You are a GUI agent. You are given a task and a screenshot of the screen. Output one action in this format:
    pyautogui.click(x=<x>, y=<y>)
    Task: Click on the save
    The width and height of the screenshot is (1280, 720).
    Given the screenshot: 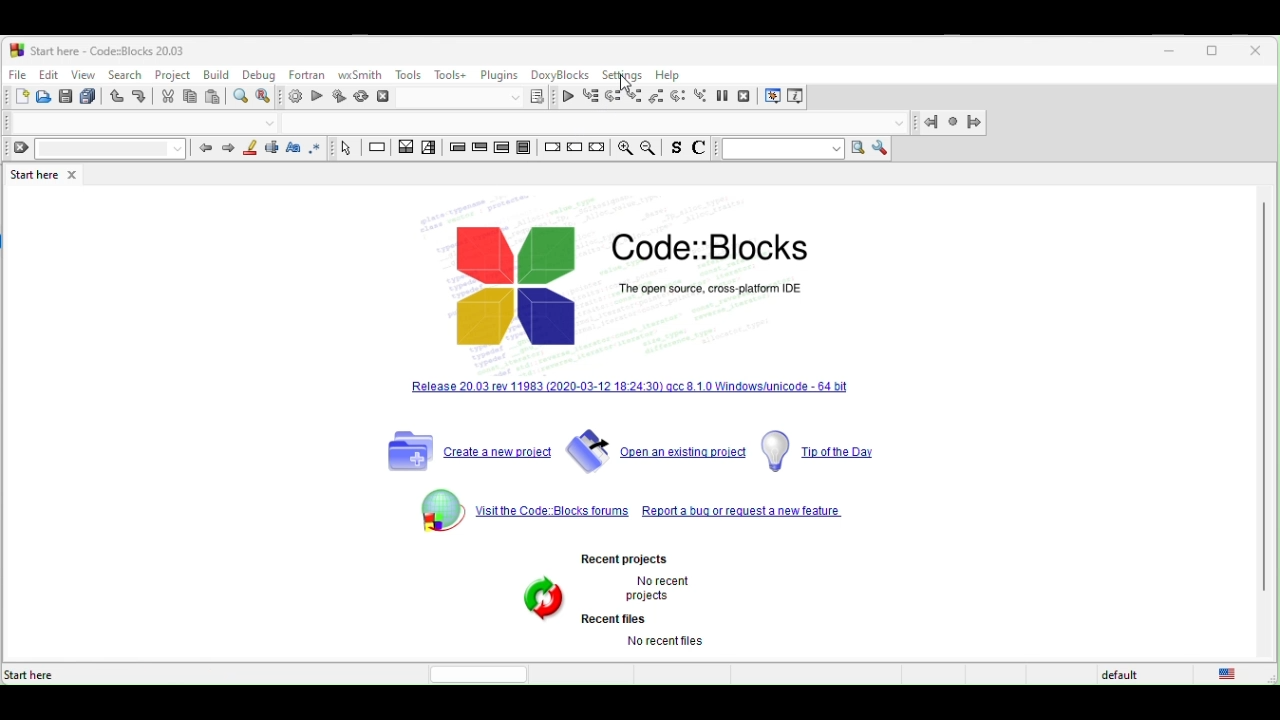 What is the action you would take?
    pyautogui.click(x=66, y=97)
    